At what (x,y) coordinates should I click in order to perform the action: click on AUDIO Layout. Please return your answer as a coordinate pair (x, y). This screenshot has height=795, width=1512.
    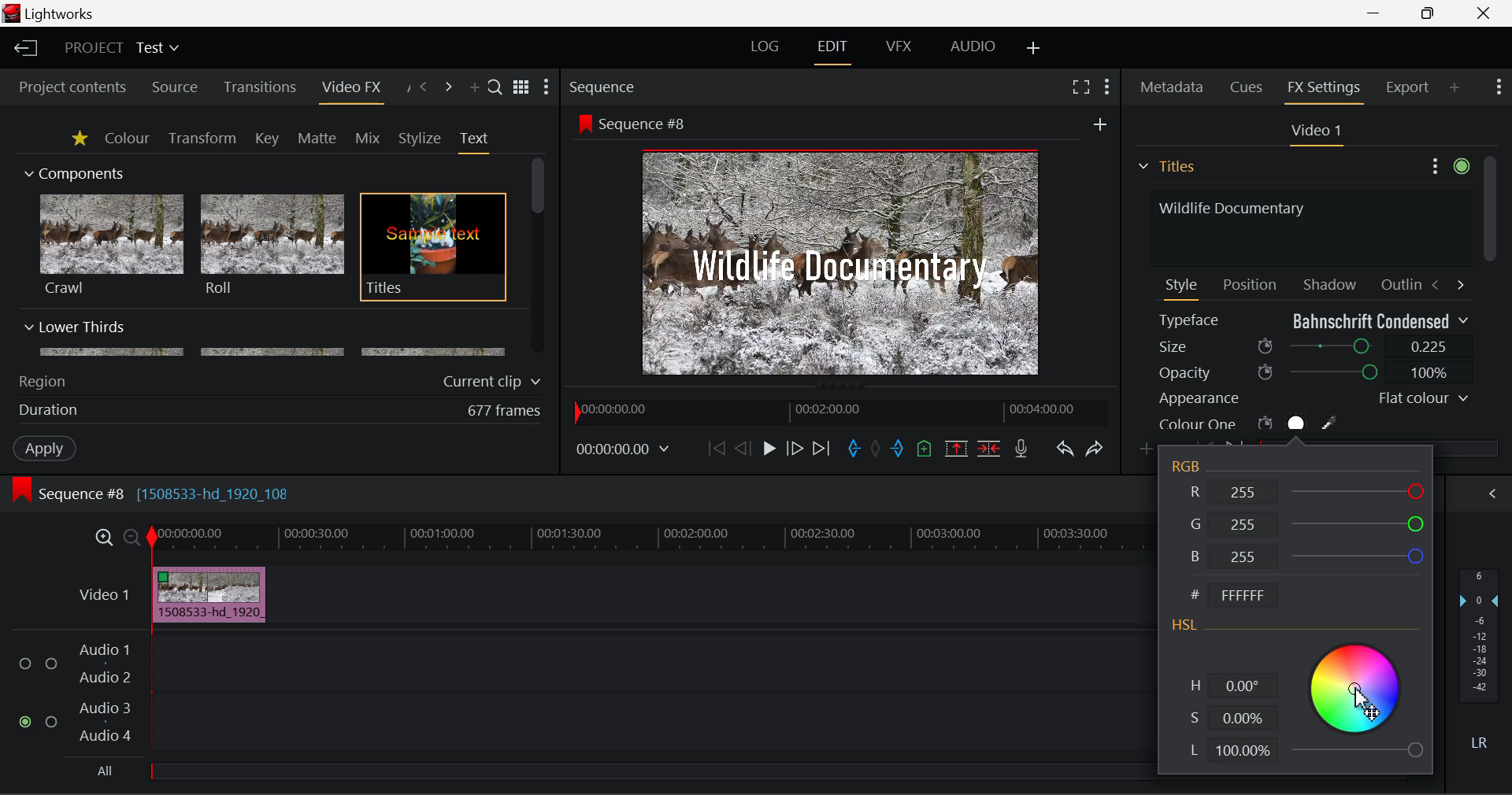
    Looking at the image, I should click on (972, 48).